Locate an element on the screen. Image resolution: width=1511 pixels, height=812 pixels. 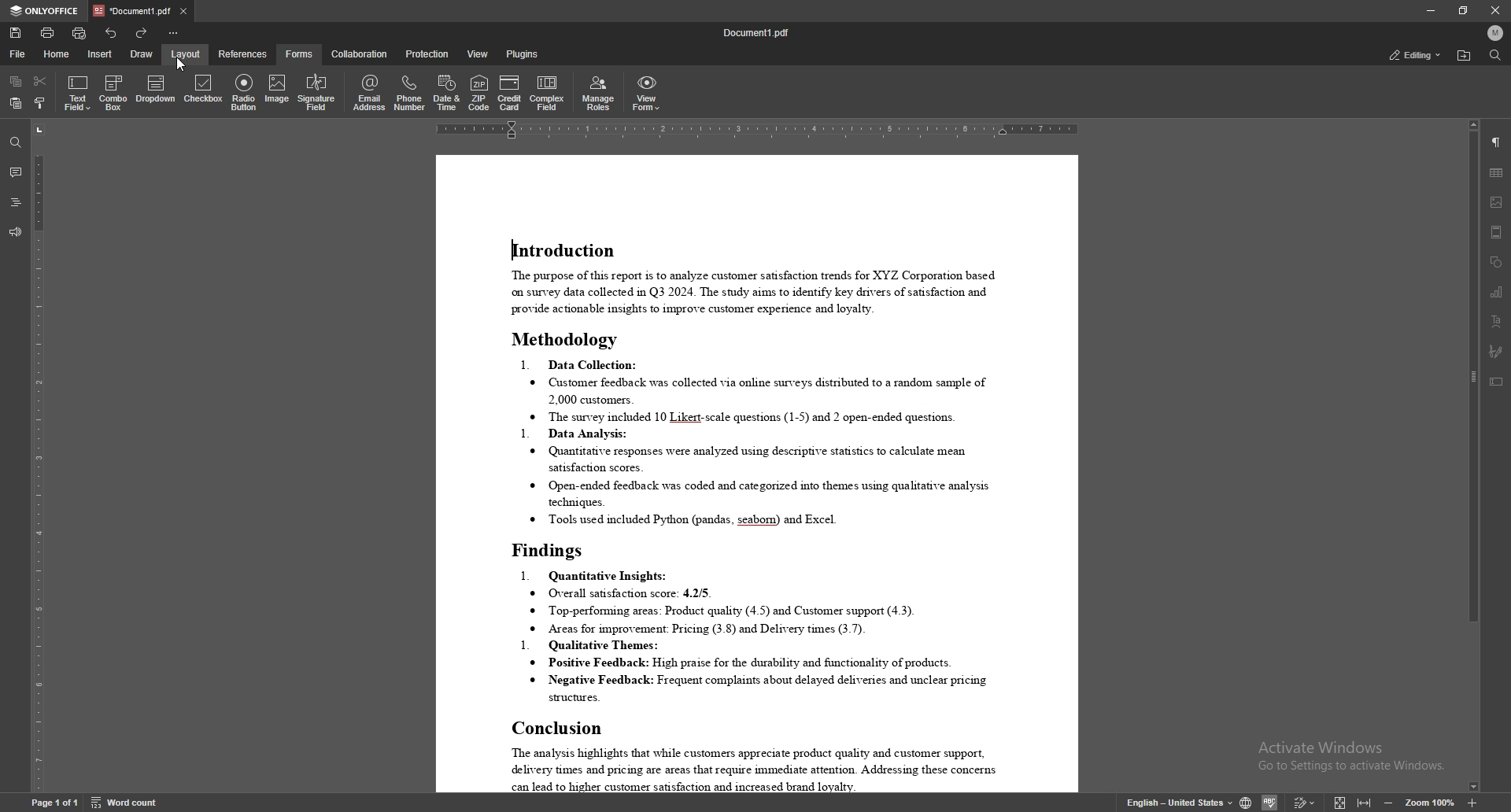
zoom in is located at coordinates (1472, 803).